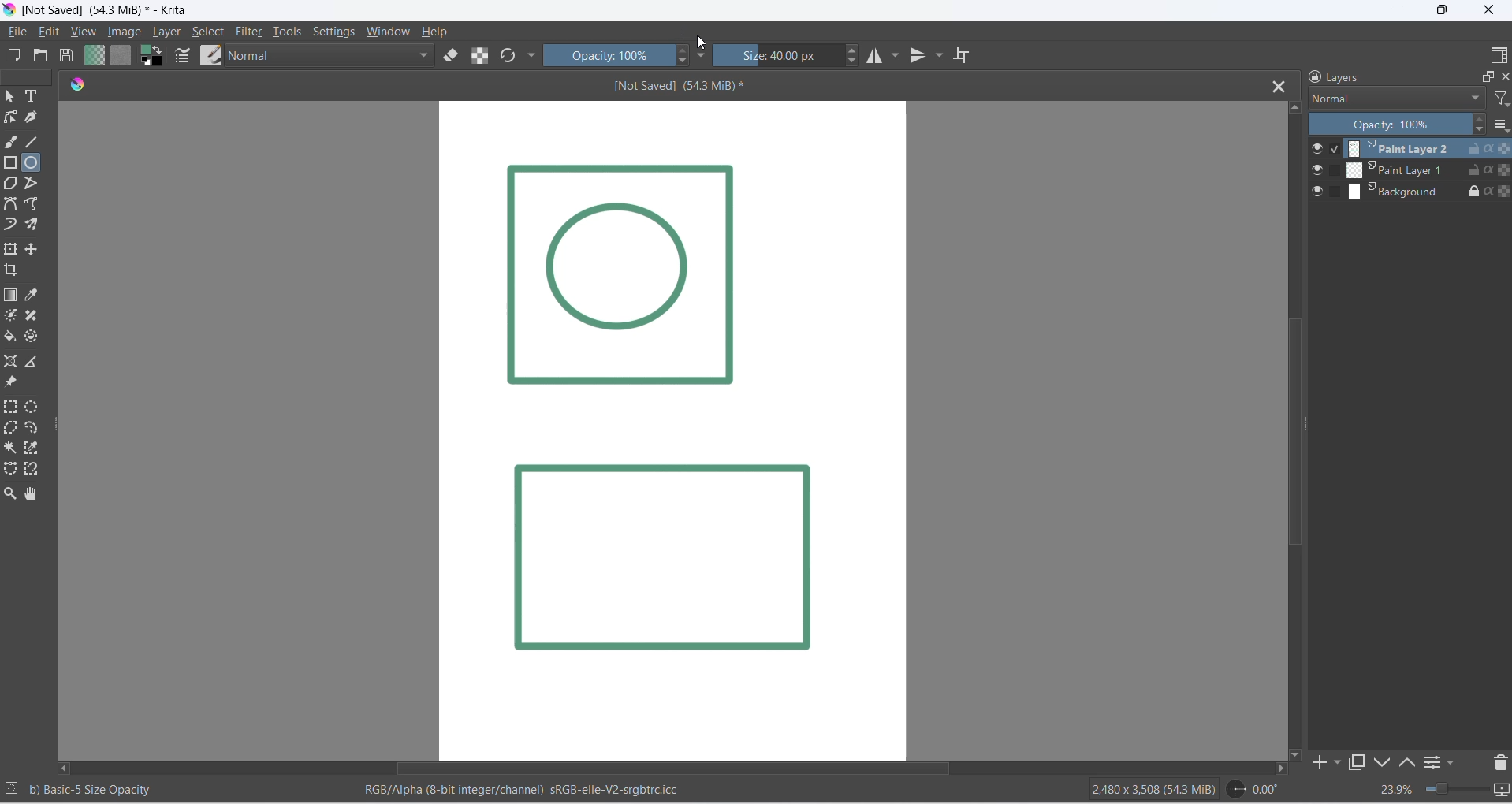  What do you see at coordinates (884, 56) in the screenshot?
I see `horizontal mirror tool` at bounding box center [884, 56].